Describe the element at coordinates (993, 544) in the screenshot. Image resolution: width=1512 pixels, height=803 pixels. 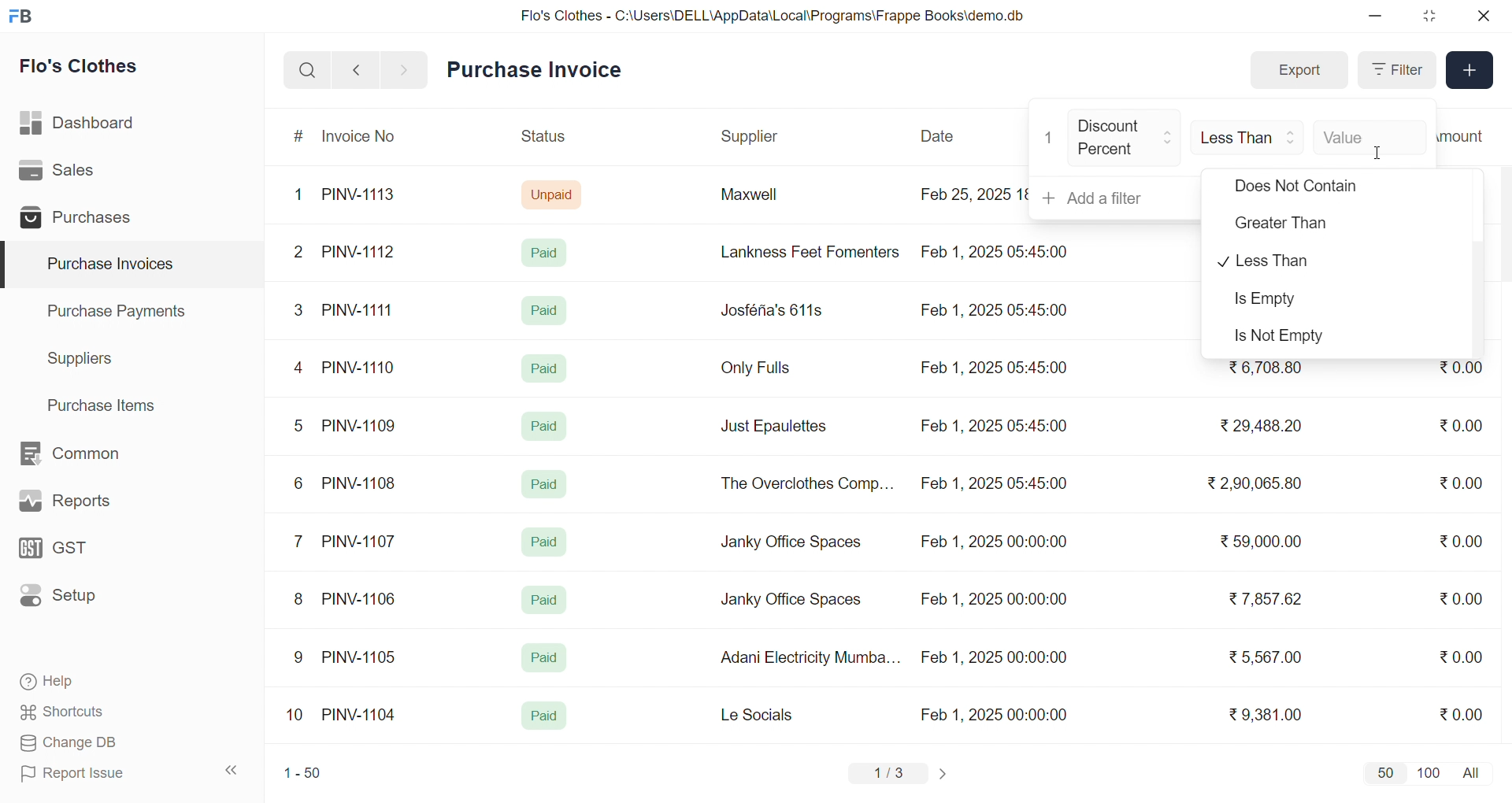
I see `Feb 1, 2025 00:00:00` at that location.